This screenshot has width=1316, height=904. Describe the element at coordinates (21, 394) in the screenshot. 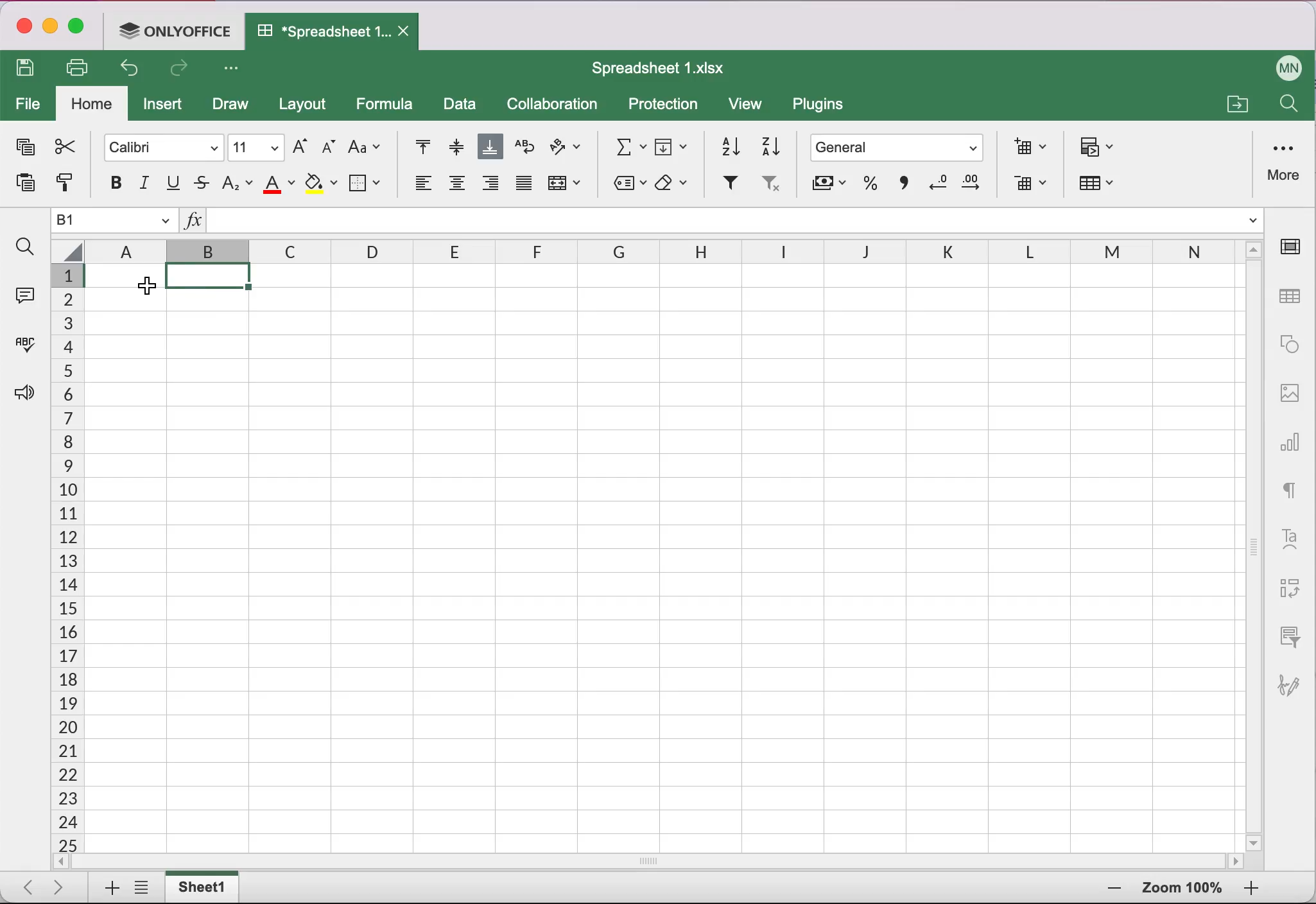

I see `feedback and support` at that location.